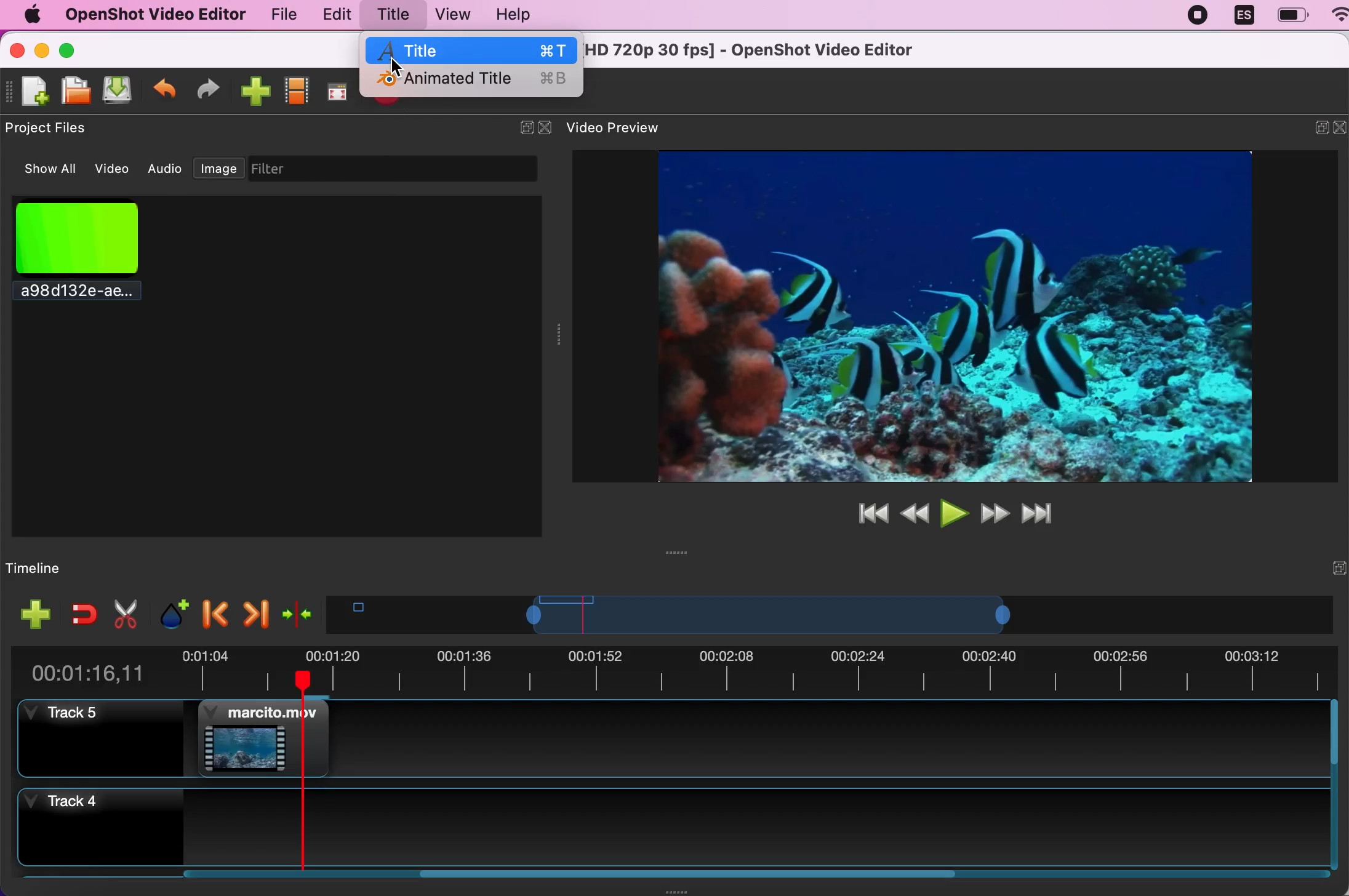 Image resolution: width=1349 pixels, height=896 pixels. I want to click on battery, so click(1292, 15).